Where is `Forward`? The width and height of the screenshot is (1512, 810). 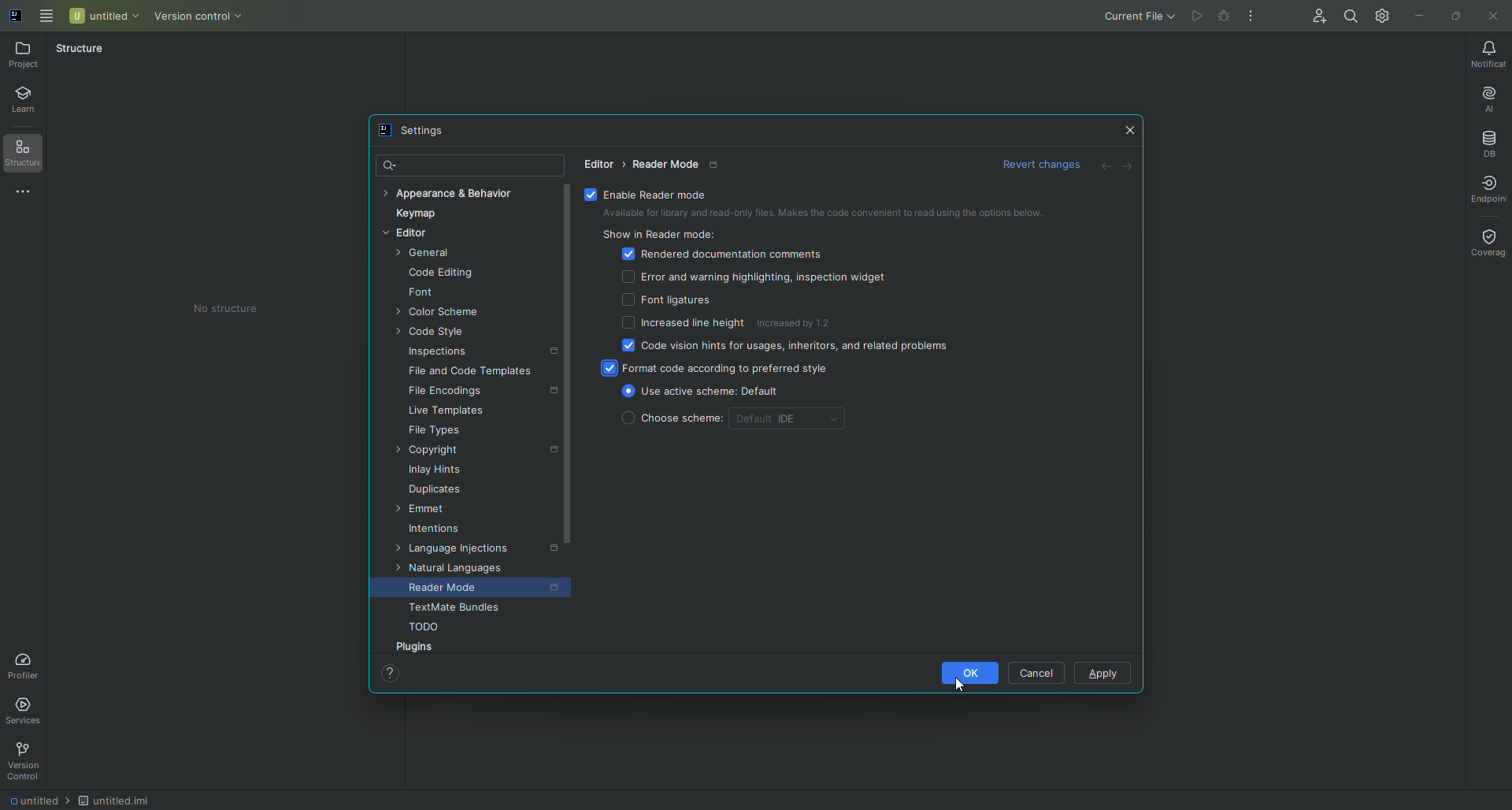 Forward is located at coordinates (1132, 168).